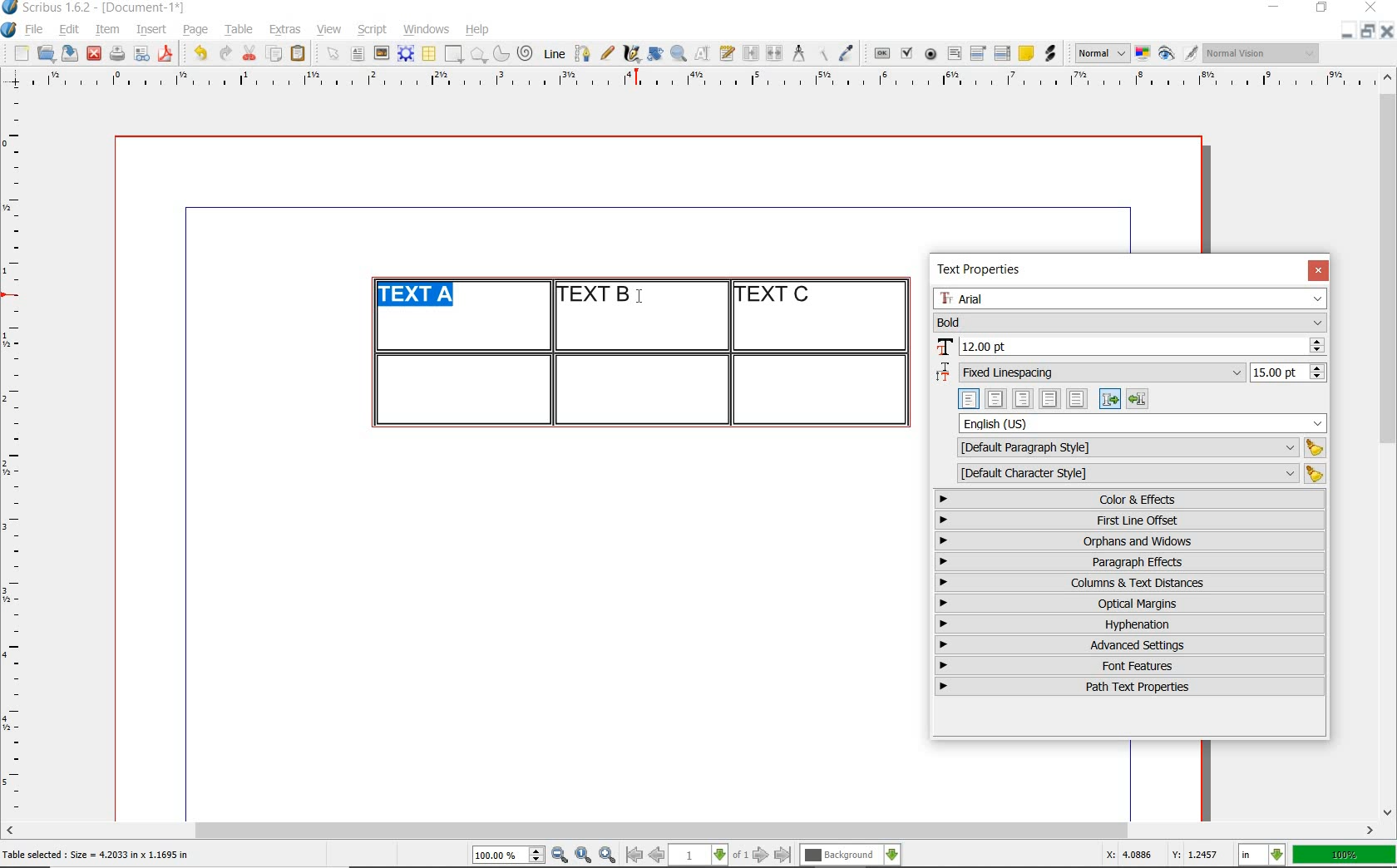  Describe the element at coordinates (552, 53) in the screenshot. I see `line` at that location.